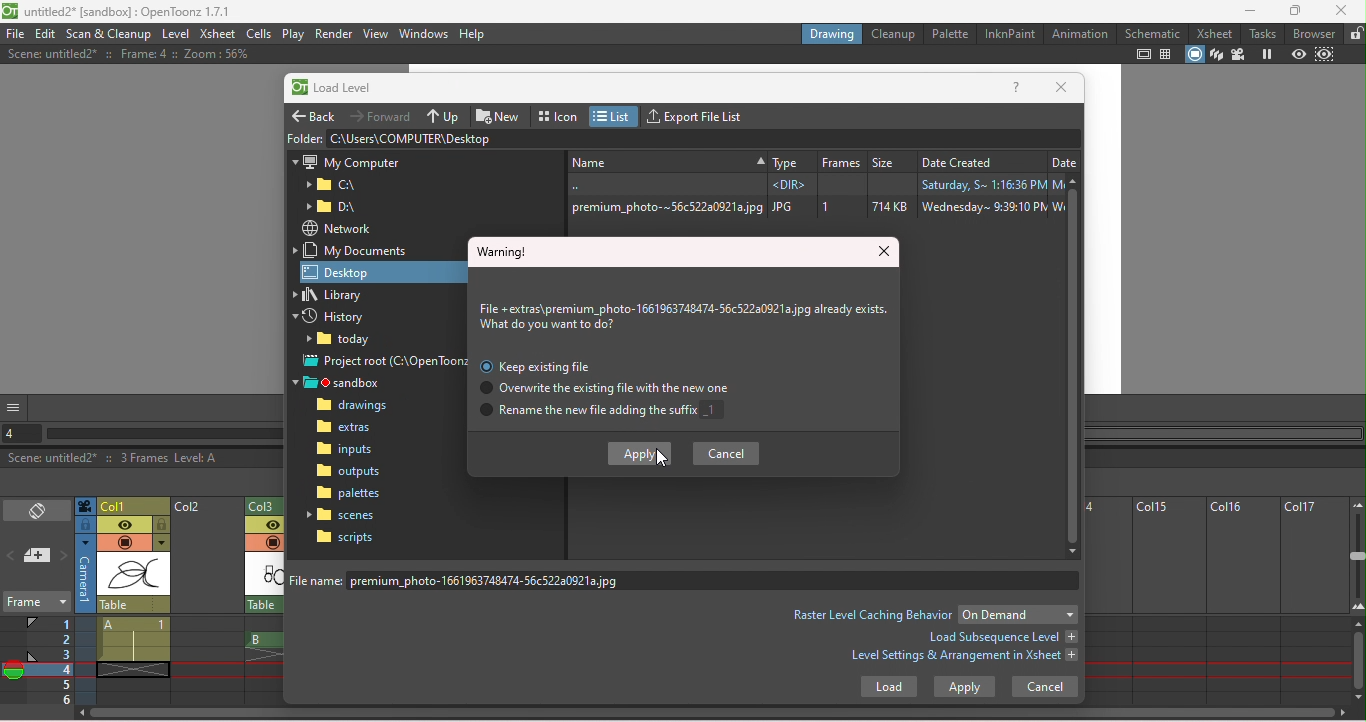  Describe the element at coordinates (15, 34) in the screenshot. I see `file` at that location.